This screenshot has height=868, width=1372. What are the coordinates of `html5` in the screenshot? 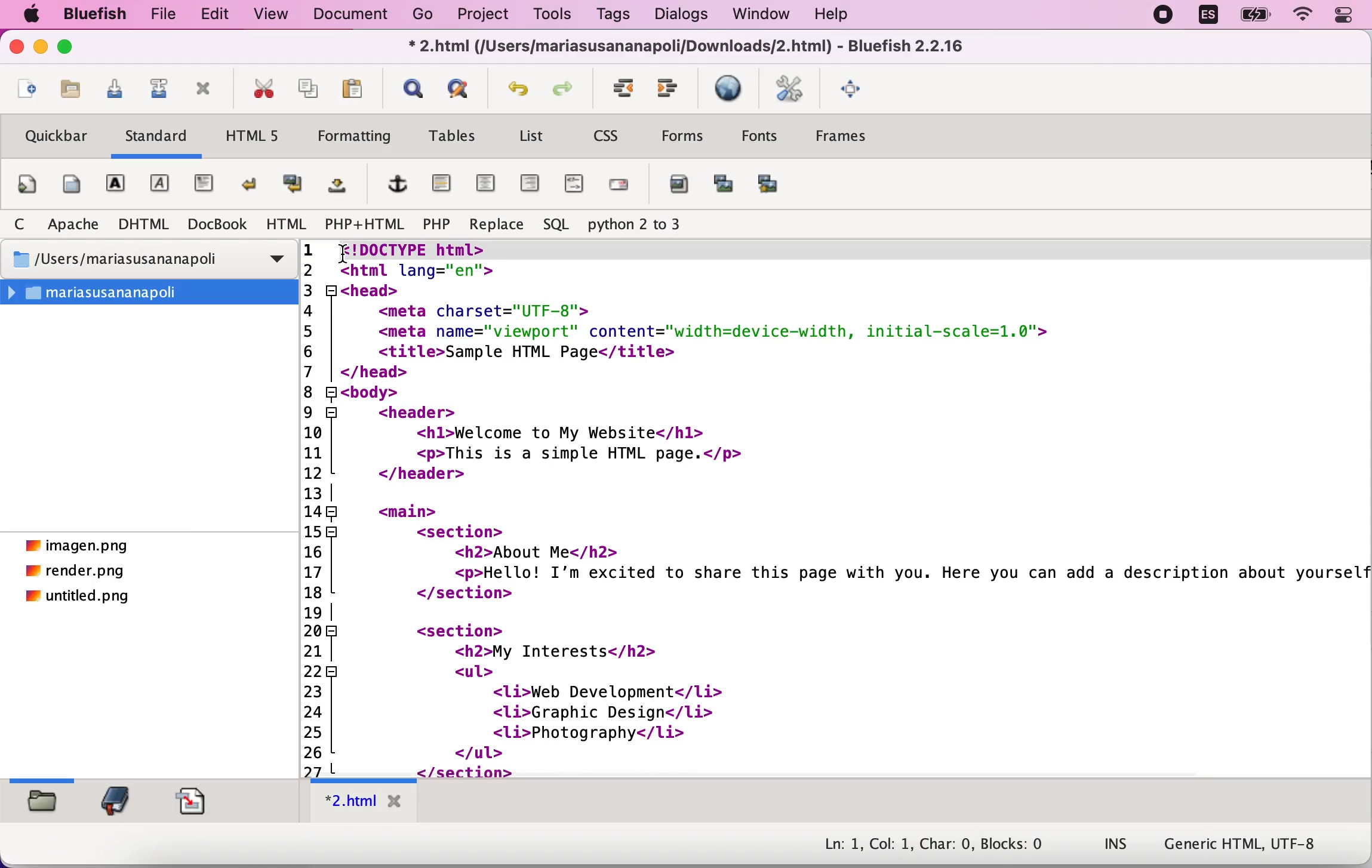 It's located at (257, 140).